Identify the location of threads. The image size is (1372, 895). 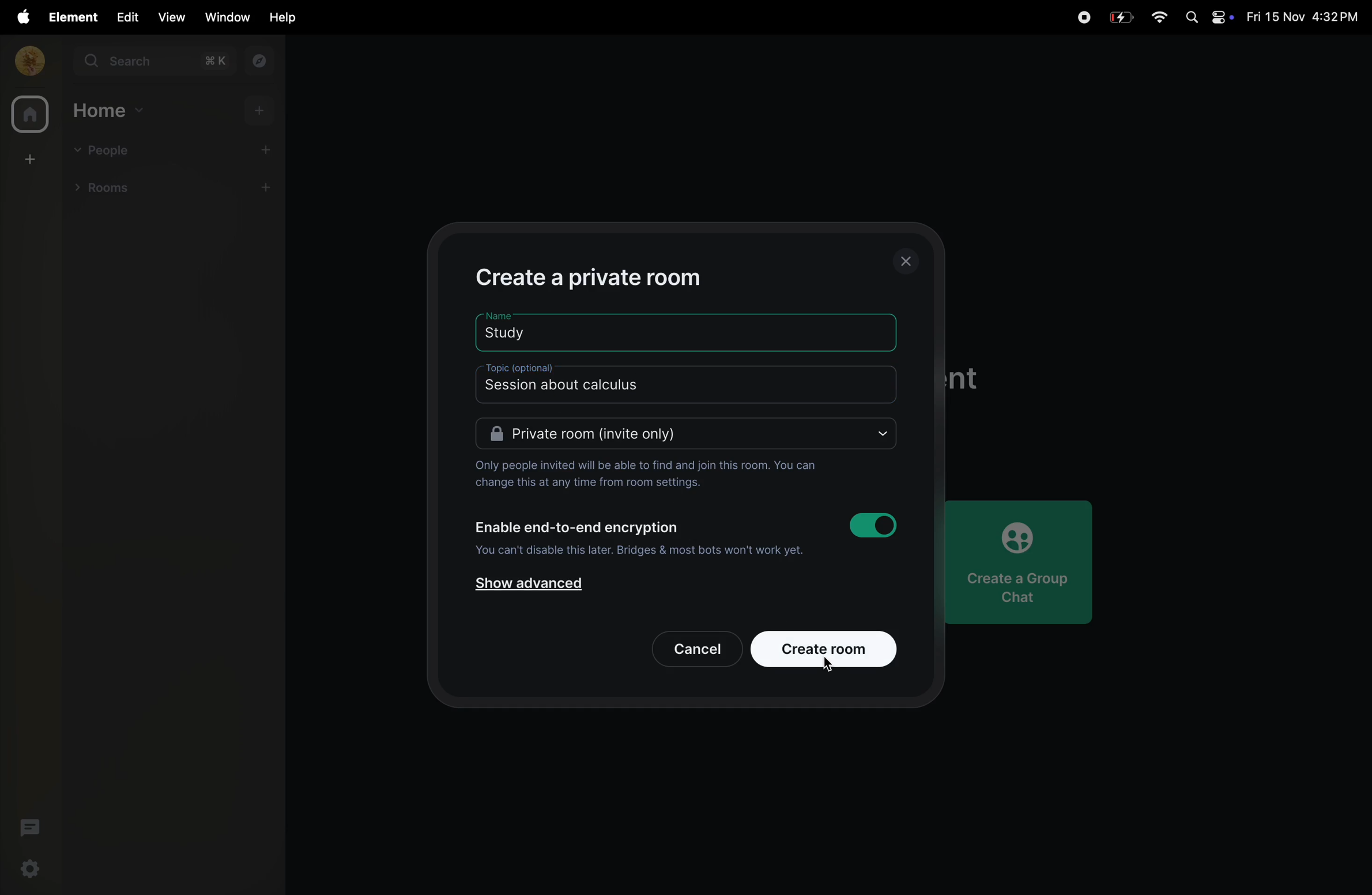
(28, 827).